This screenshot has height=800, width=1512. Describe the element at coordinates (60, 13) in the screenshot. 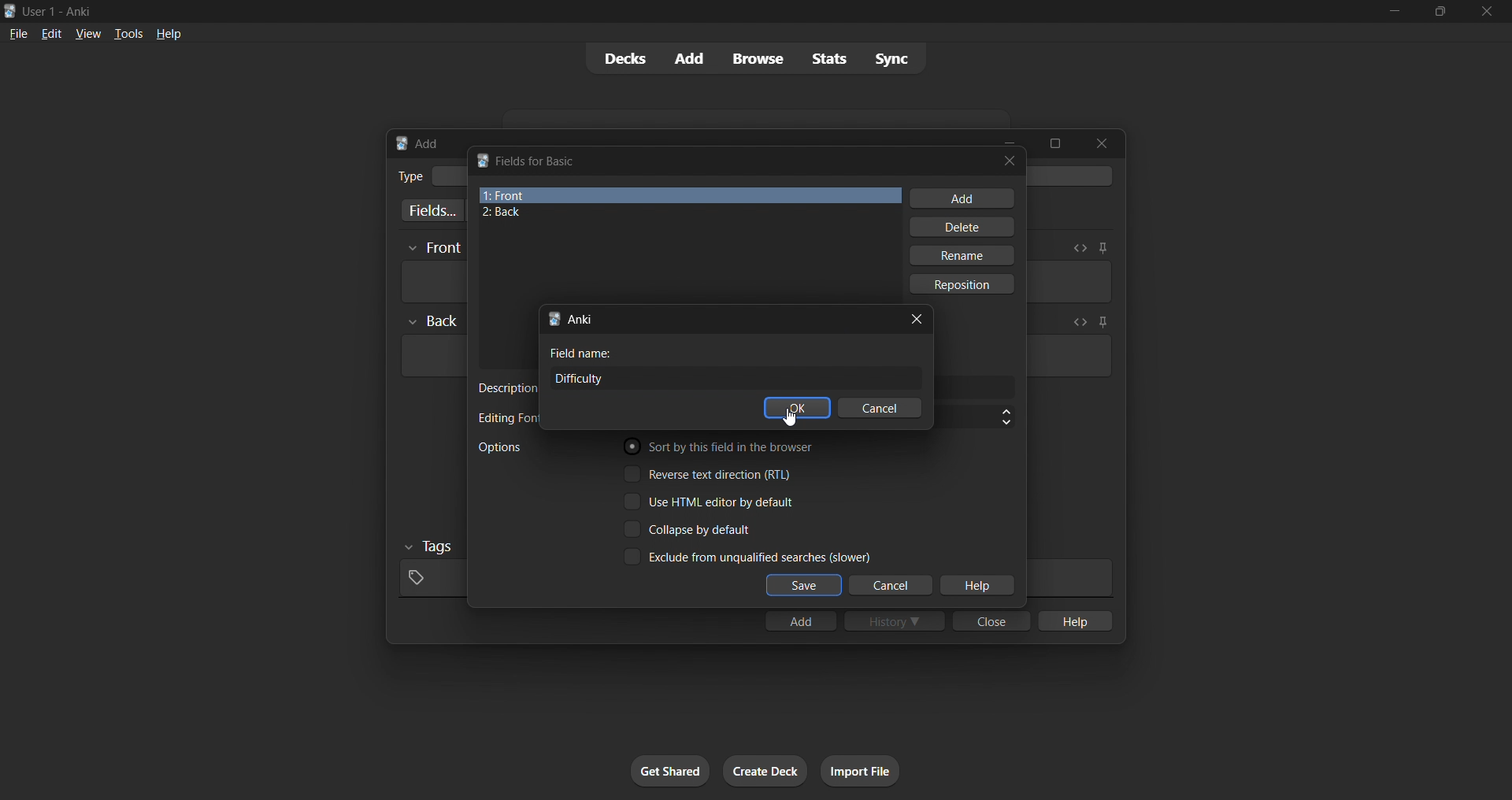

I see `Text` at that location.